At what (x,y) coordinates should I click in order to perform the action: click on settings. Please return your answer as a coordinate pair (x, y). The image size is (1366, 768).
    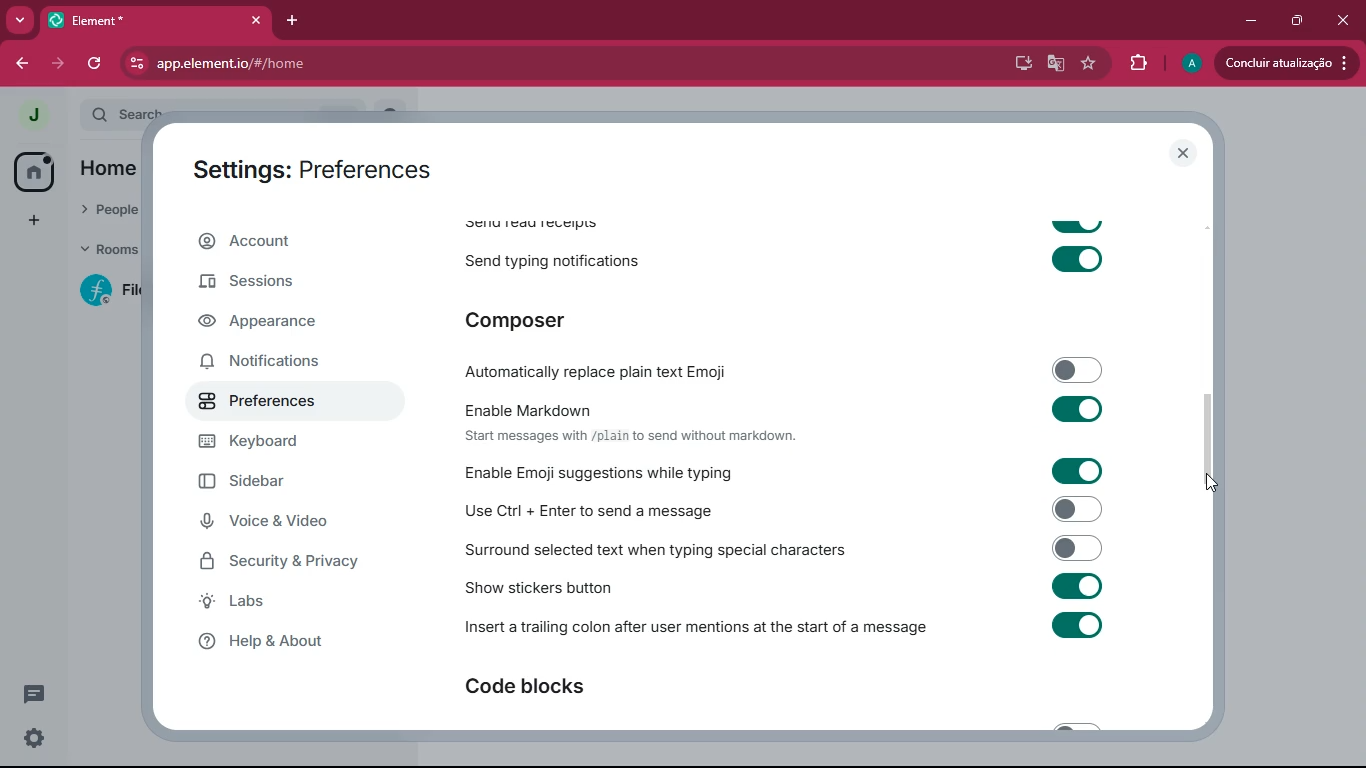
    Looking at the image, I should click on (30, 739).